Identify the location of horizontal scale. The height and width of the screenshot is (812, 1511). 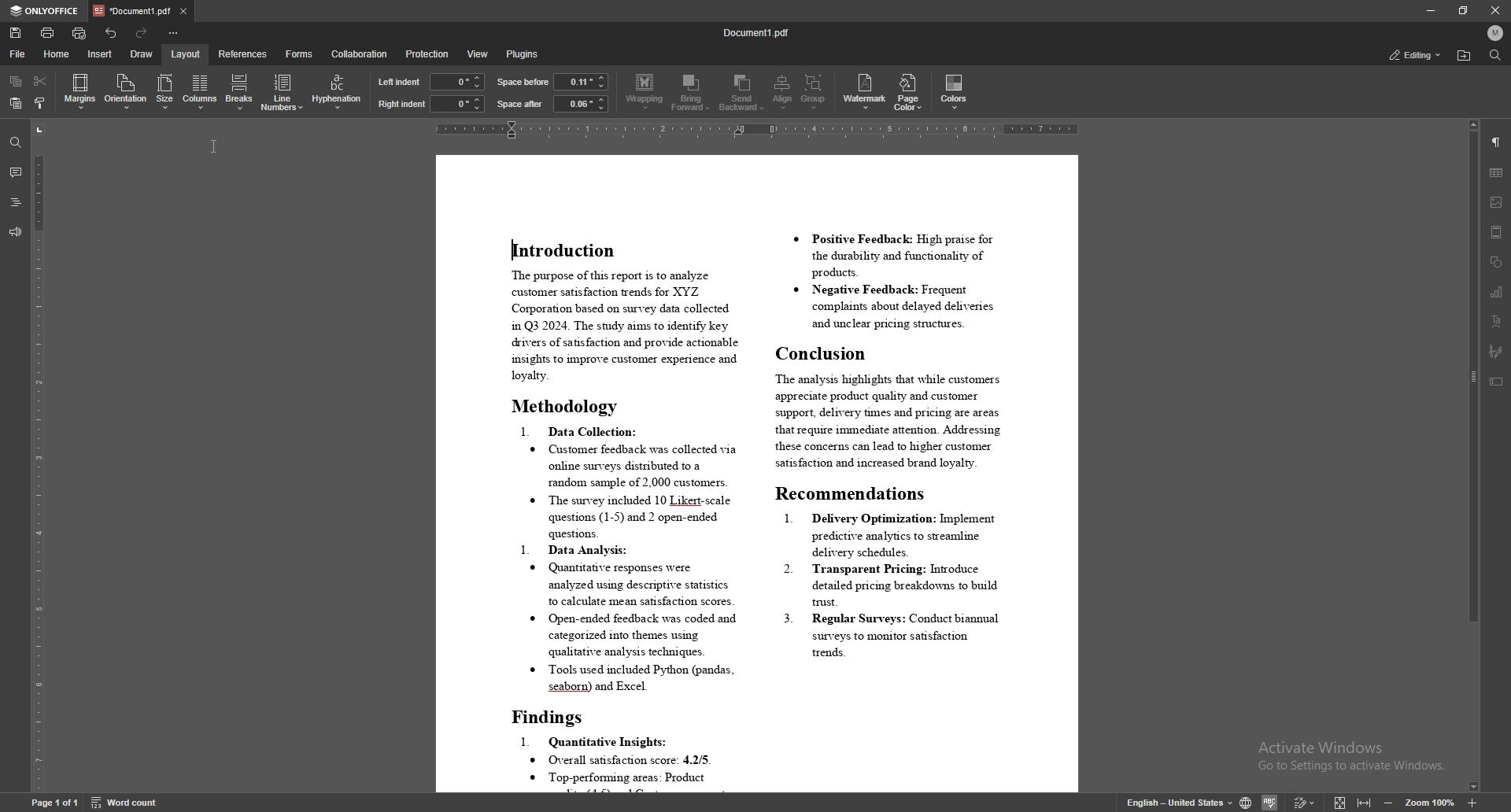
(754, 129).